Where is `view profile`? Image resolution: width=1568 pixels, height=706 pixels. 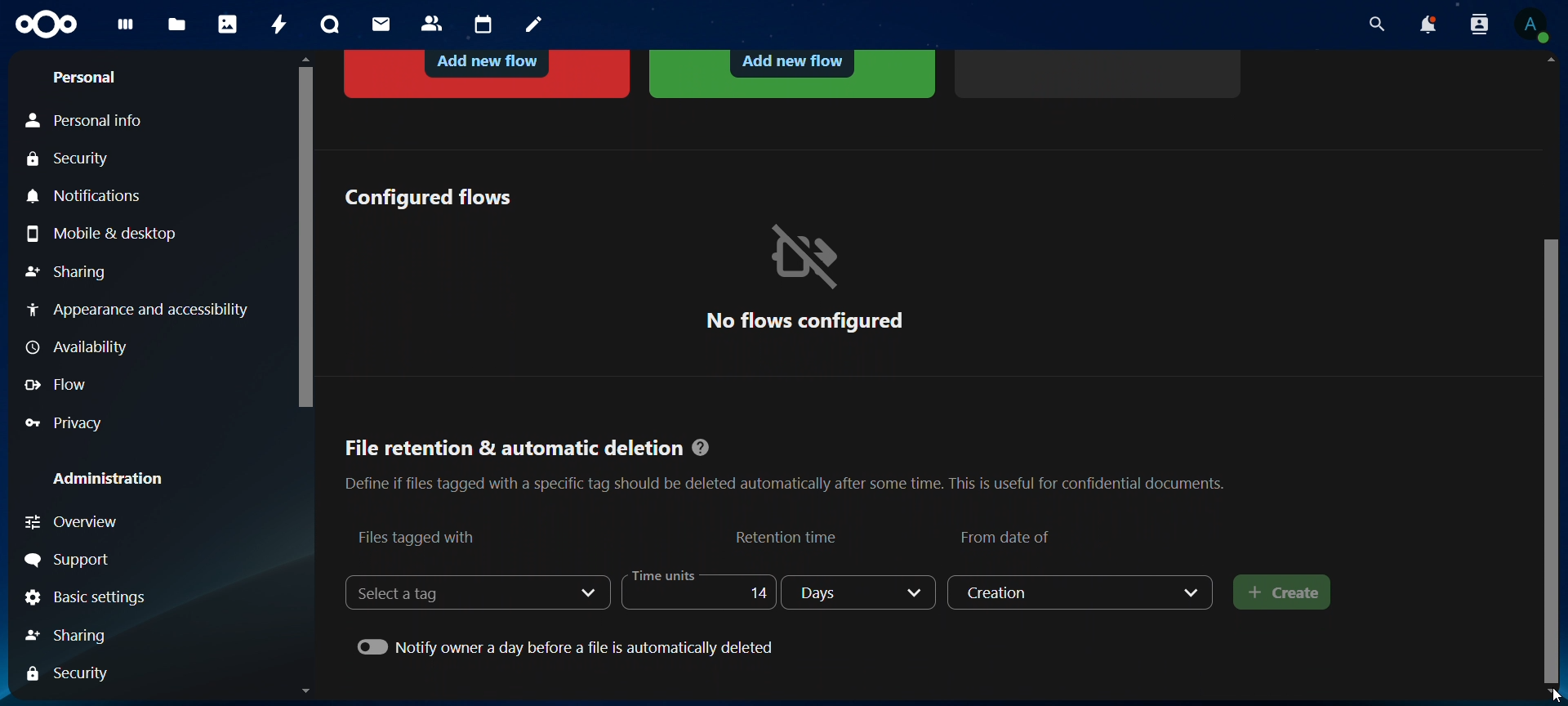 view profile is located at coordinates (1531, 25).